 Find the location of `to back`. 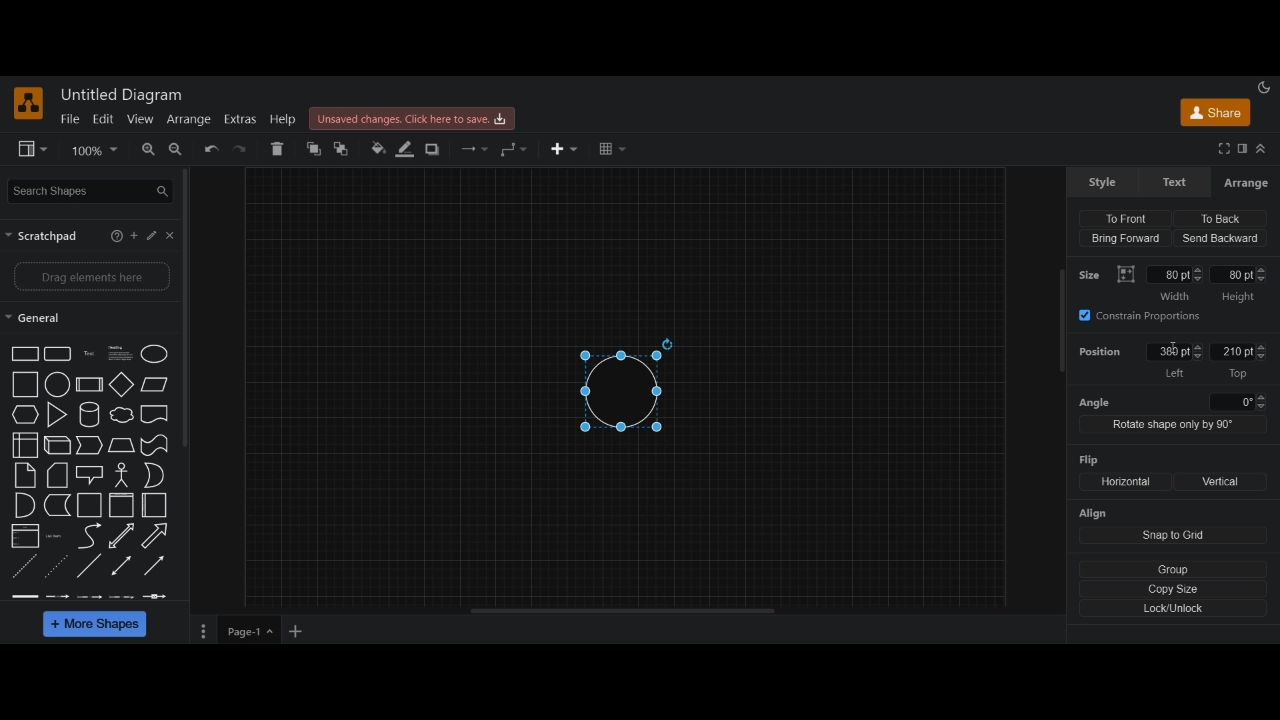

to back is located at coordinates (345, 149).